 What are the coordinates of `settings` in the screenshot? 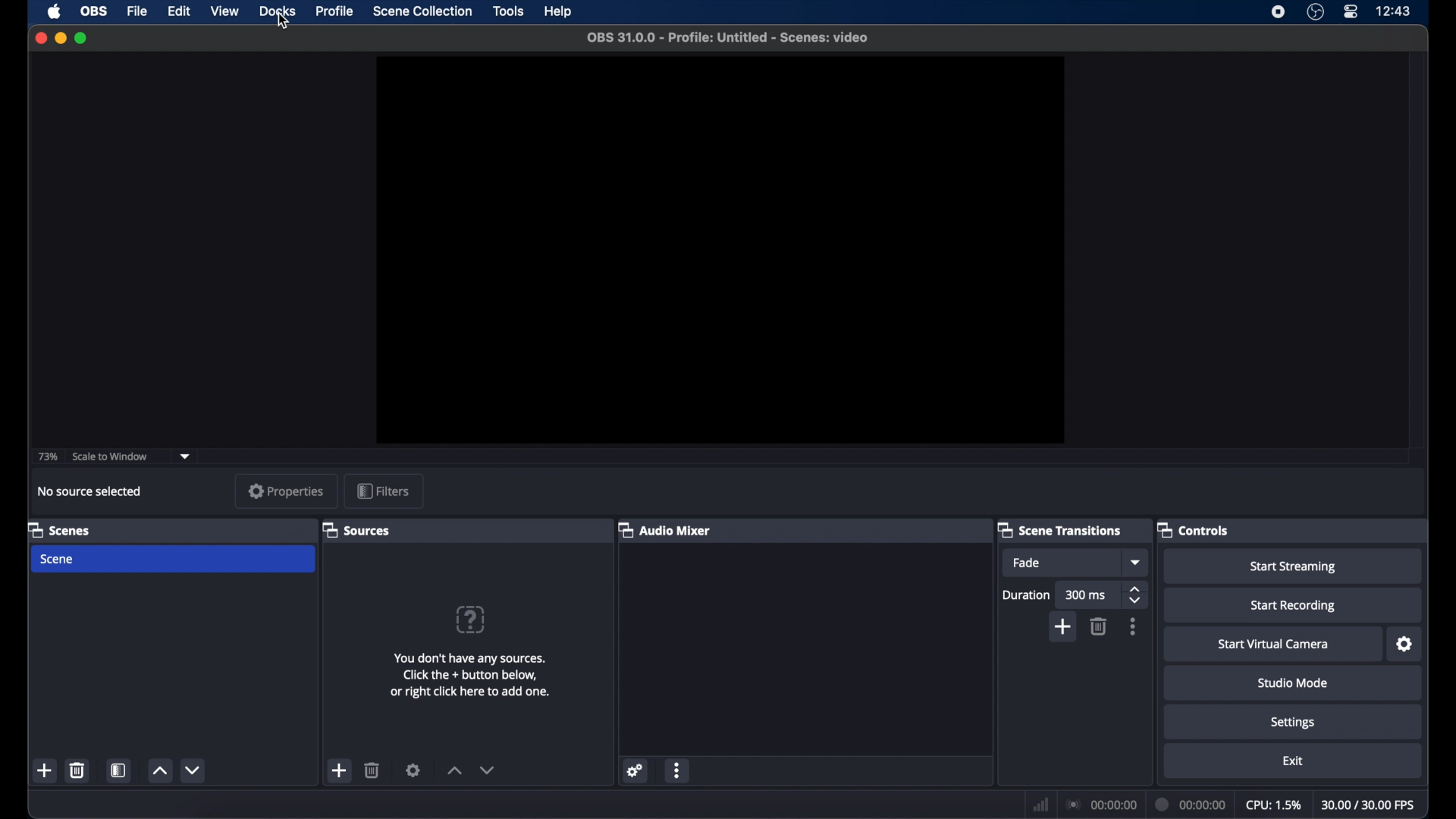 It's located at (1405, 644).